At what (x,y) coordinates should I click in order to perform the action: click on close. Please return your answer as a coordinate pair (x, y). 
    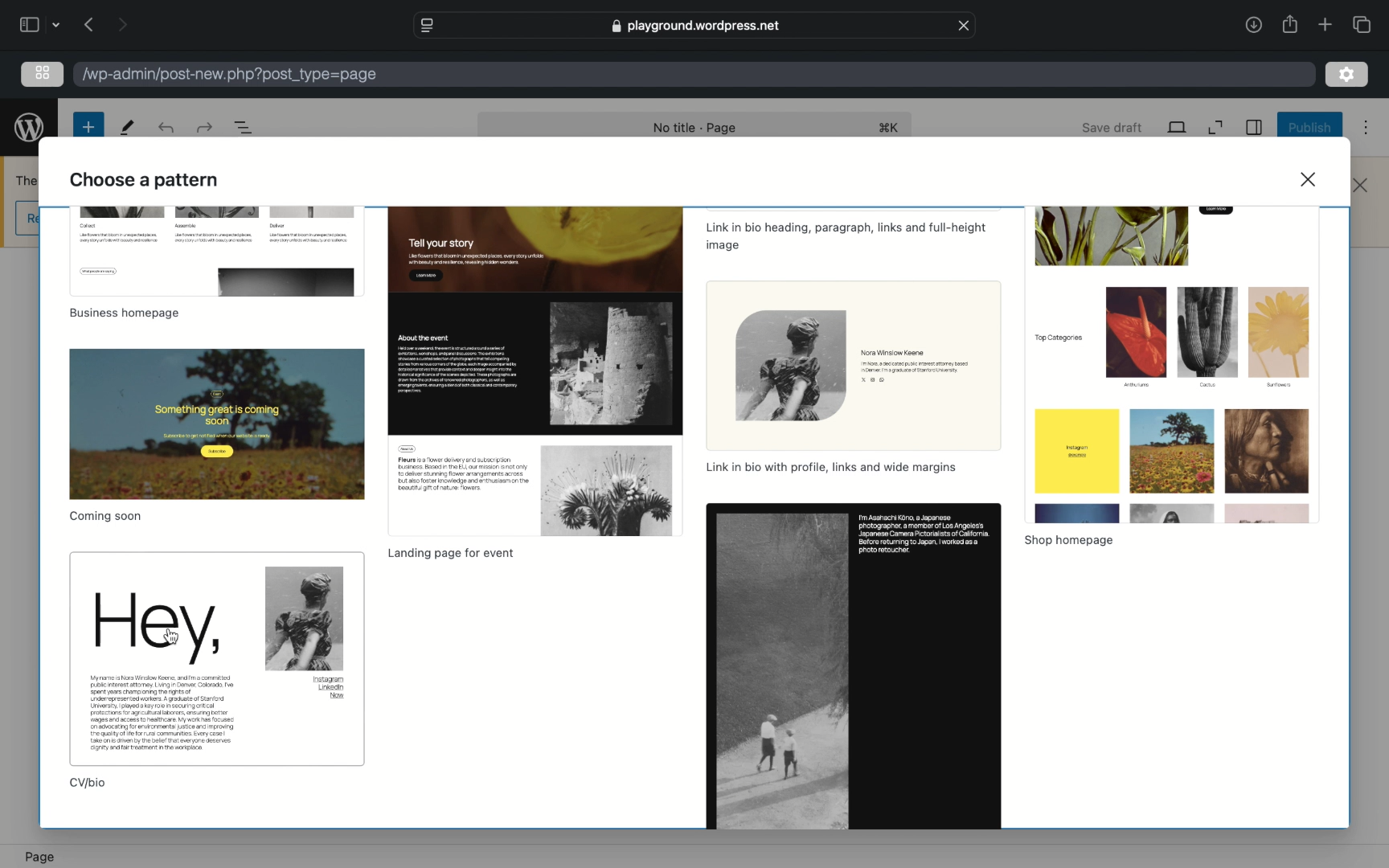
    Looking at the image, I should click on (965, 24).